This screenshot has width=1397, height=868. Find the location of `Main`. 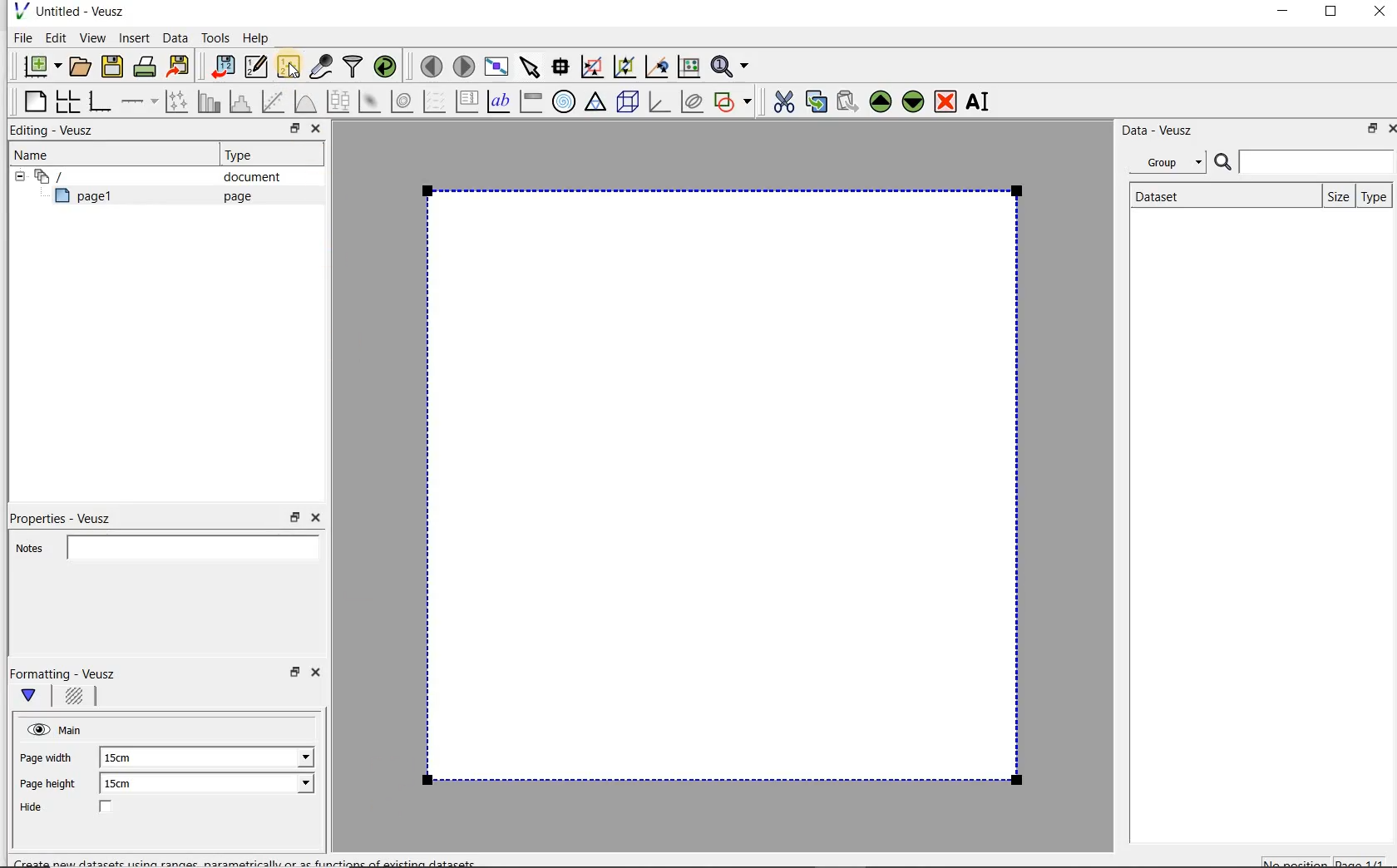

Main is located at coordinates (73, 728).